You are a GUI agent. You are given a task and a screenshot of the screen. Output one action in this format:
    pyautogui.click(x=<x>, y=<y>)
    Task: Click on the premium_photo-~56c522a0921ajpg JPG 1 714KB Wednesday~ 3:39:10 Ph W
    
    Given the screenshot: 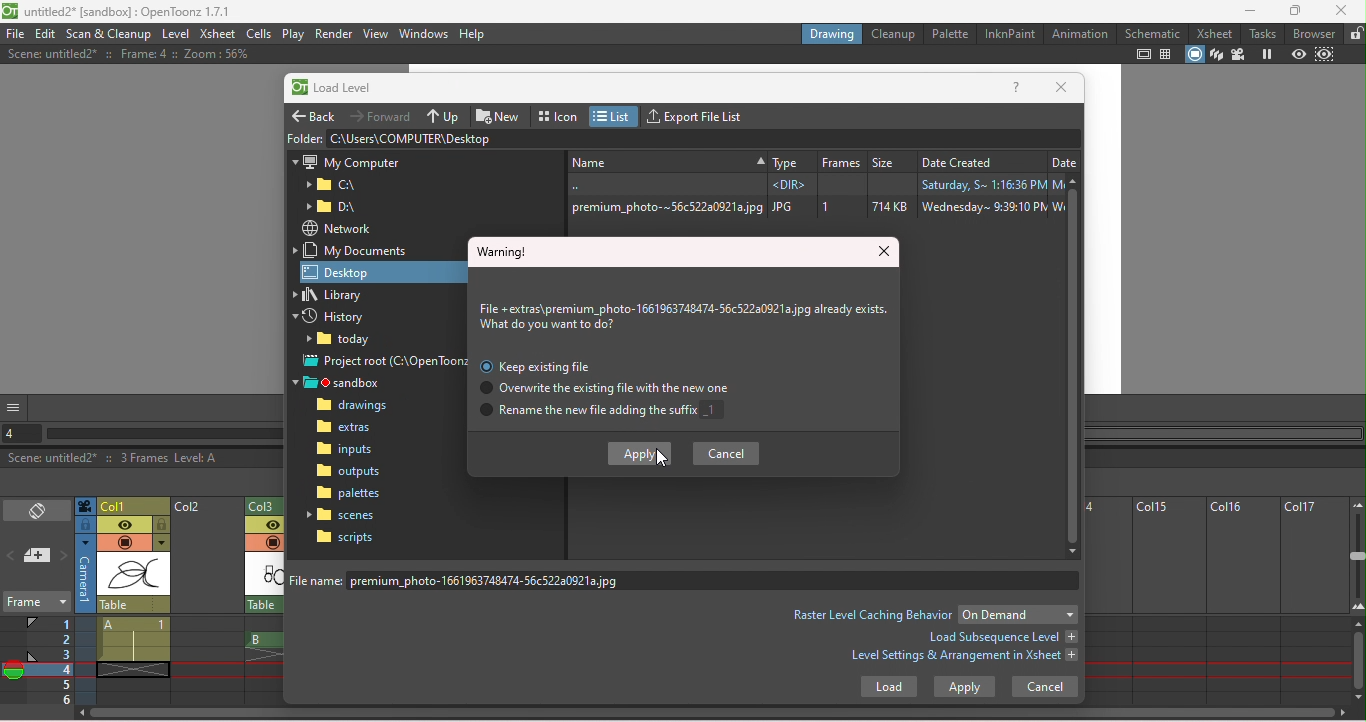 What is the action you would take?
    pyautogui.click(x=813, y=207)
    